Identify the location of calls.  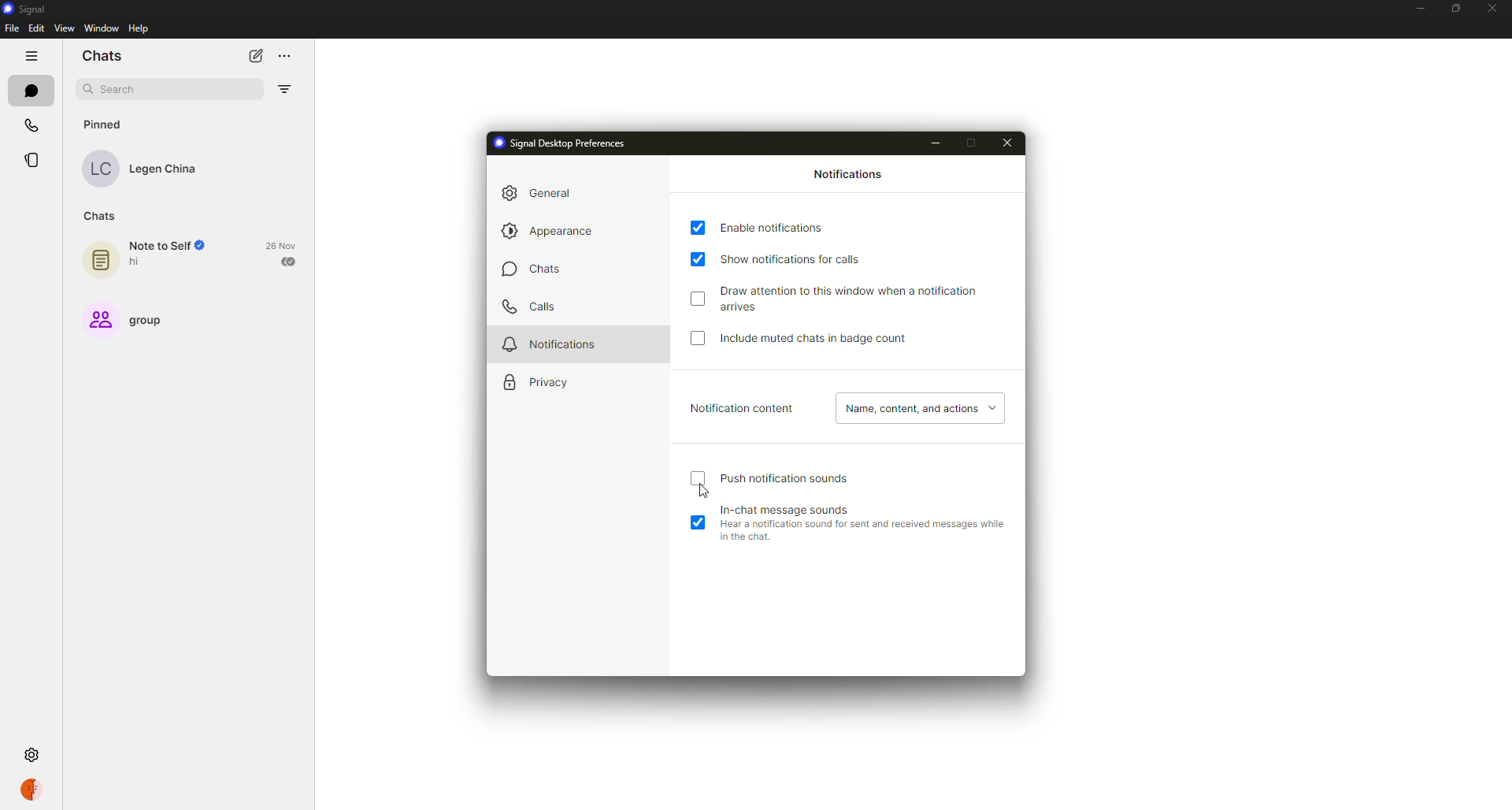
(31, 124).